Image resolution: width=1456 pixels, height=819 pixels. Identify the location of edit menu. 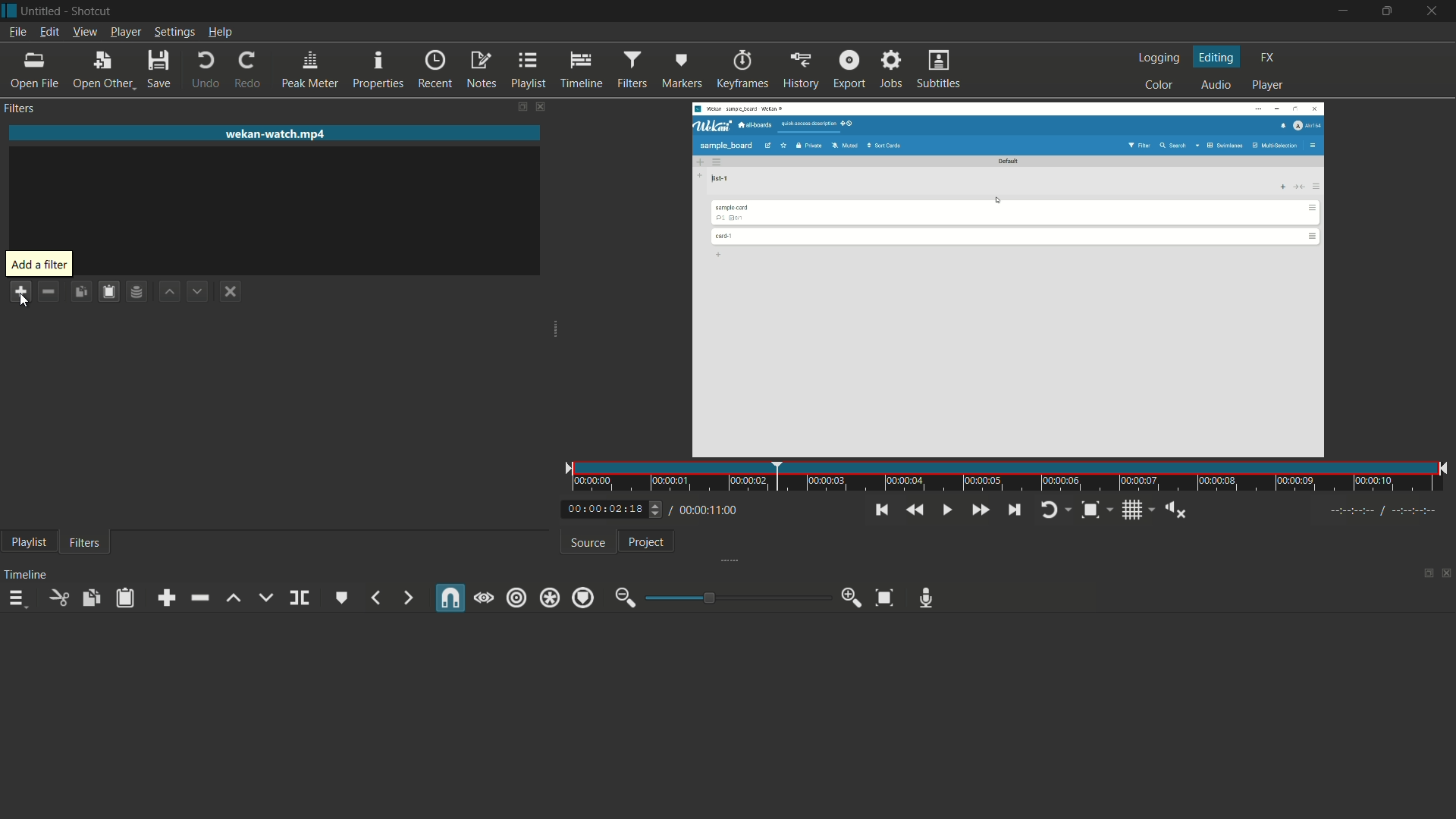
(51, 33).